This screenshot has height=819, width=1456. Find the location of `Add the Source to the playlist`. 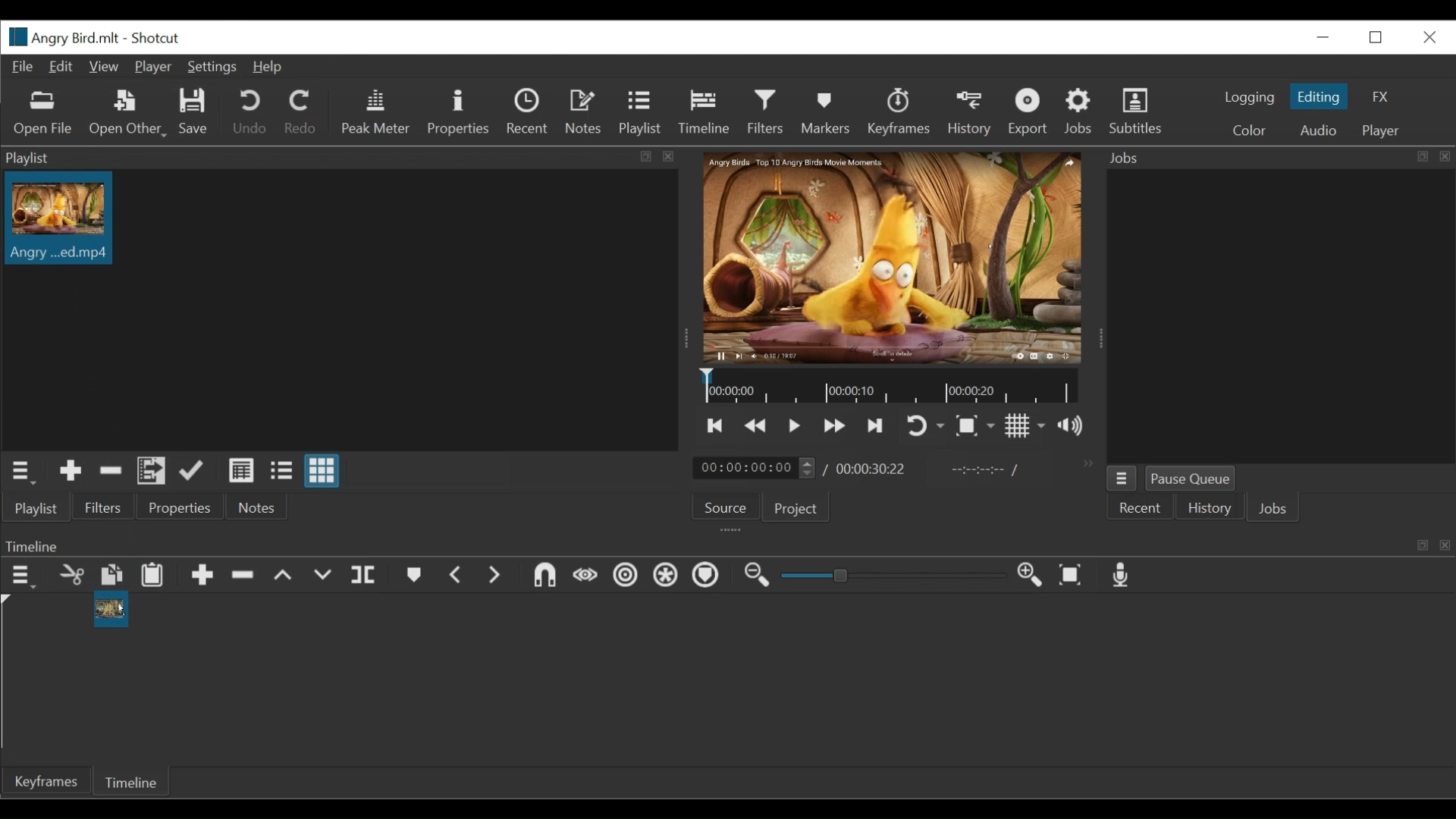

Add the Source to the playlist is located at coordinates (70, 471).